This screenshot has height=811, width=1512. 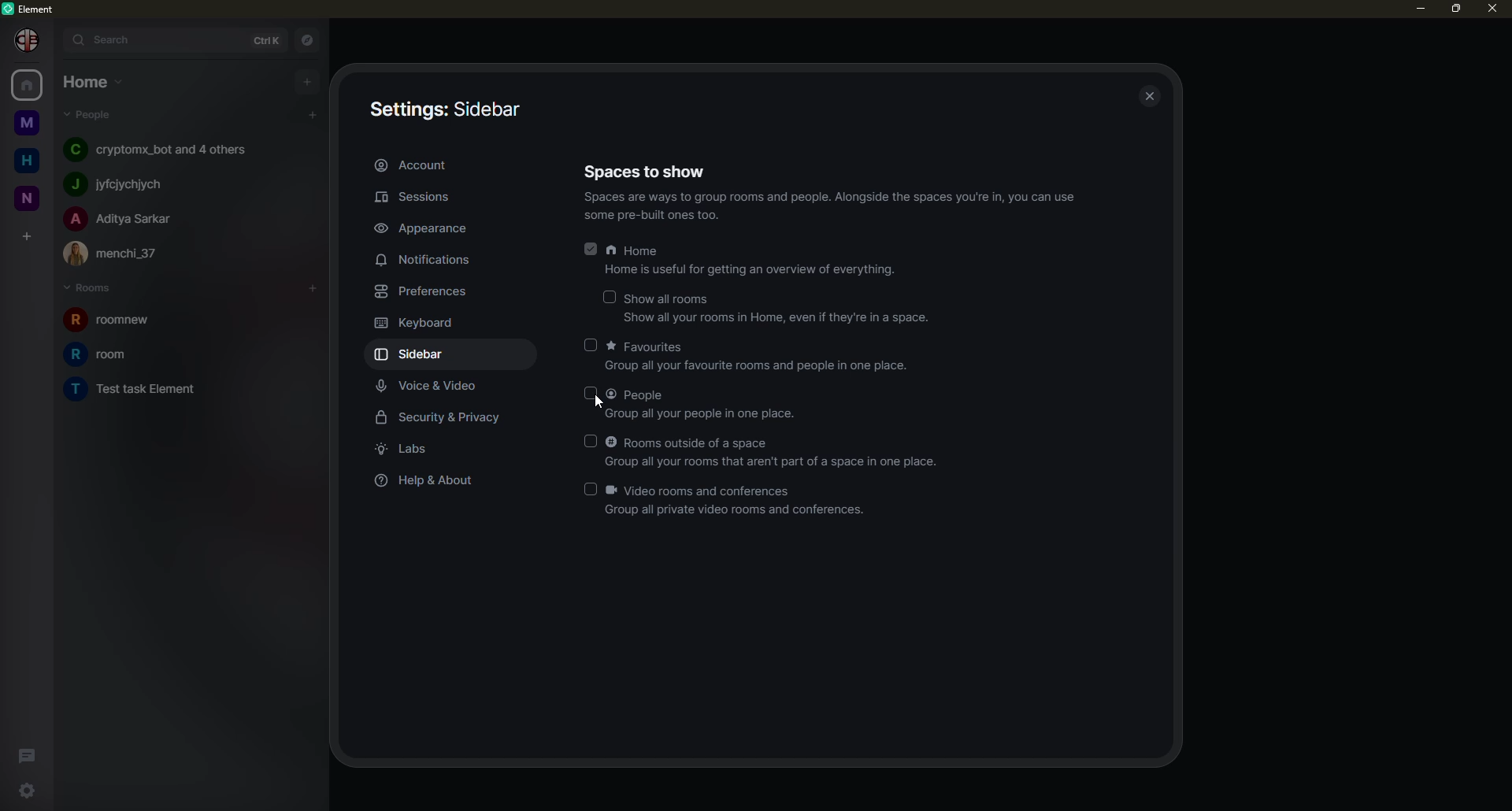 I want to click on favorites, so click(x=762, y=356).